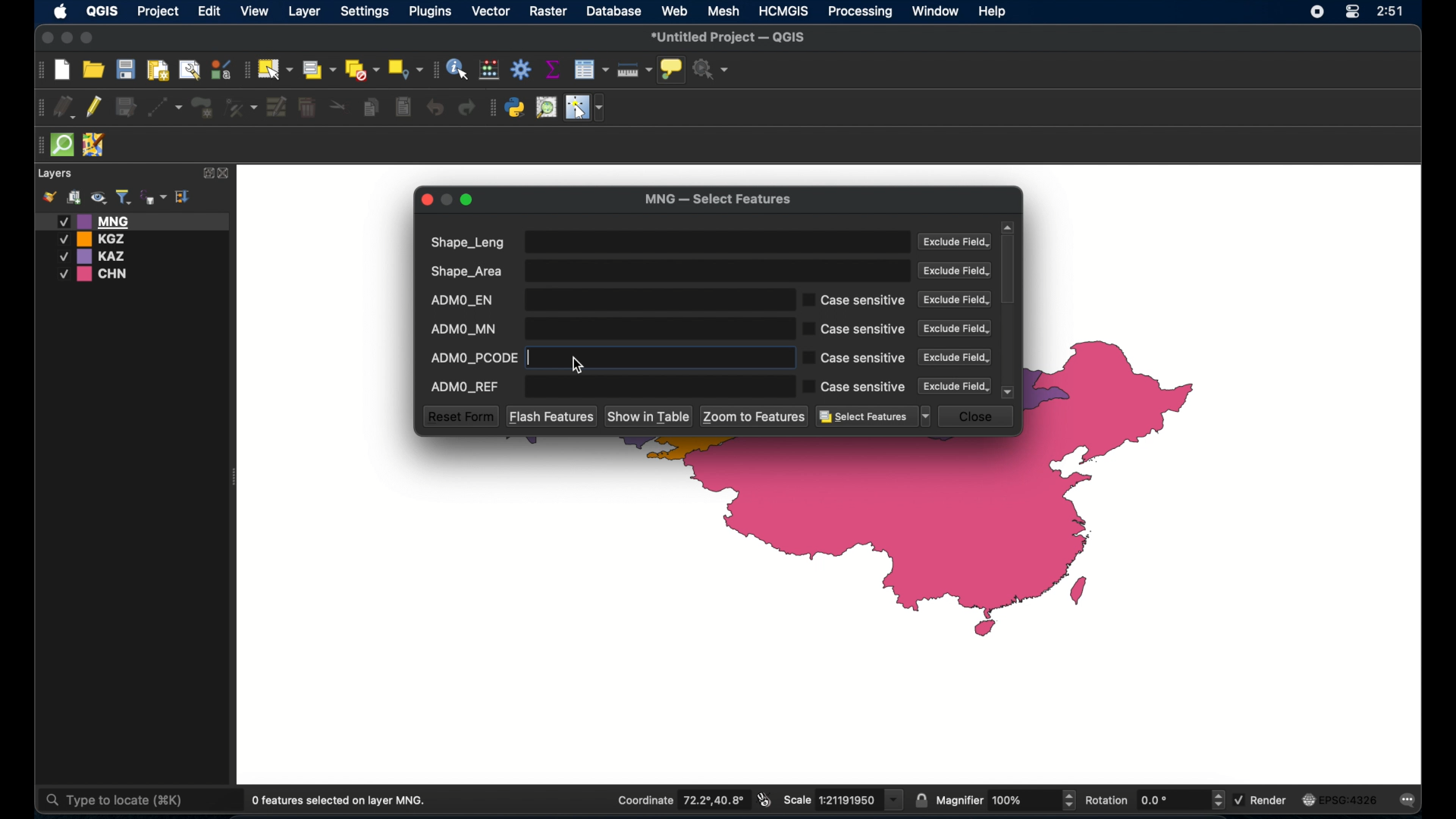 The height and width of the screenshot is (819, 1456). What do you see at coordinates (49, 197) in the screenshot?
I see `open layer styling panel` at bounding box center [49, 197].